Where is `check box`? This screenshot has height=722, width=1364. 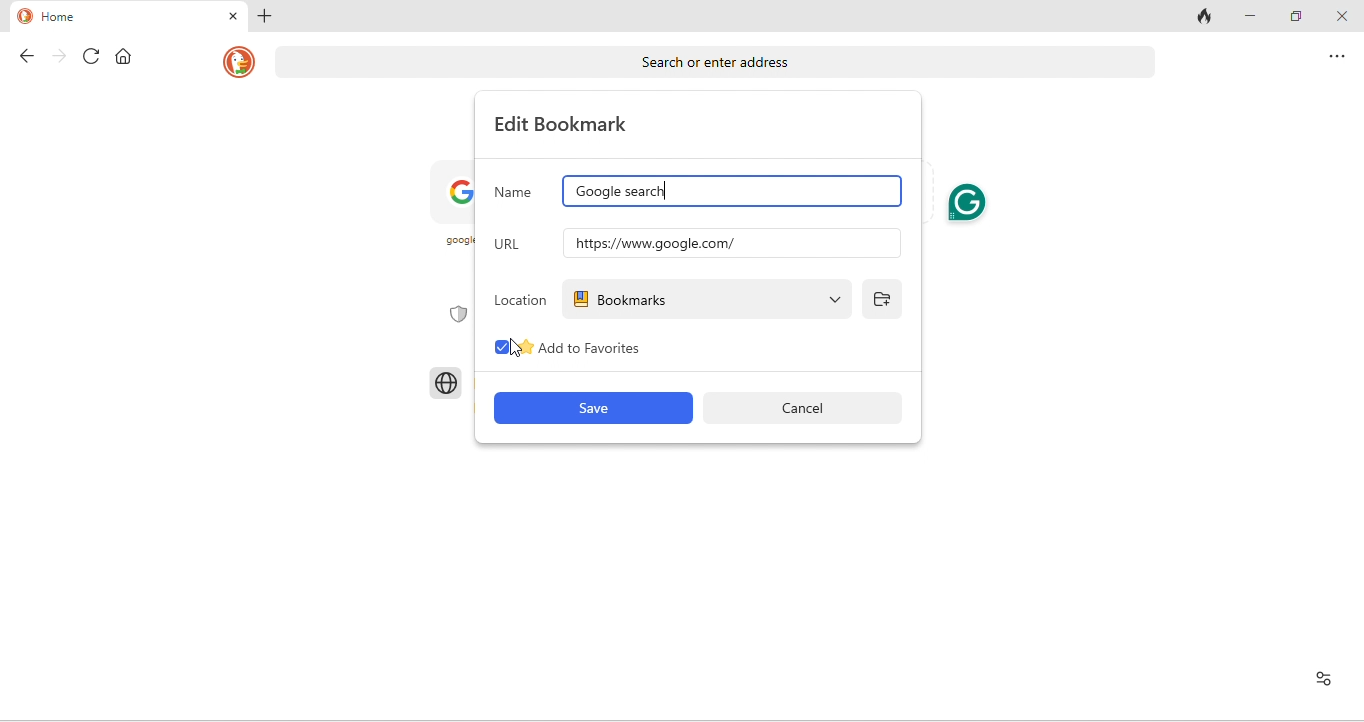
check box is located at coordinates (494, 348).